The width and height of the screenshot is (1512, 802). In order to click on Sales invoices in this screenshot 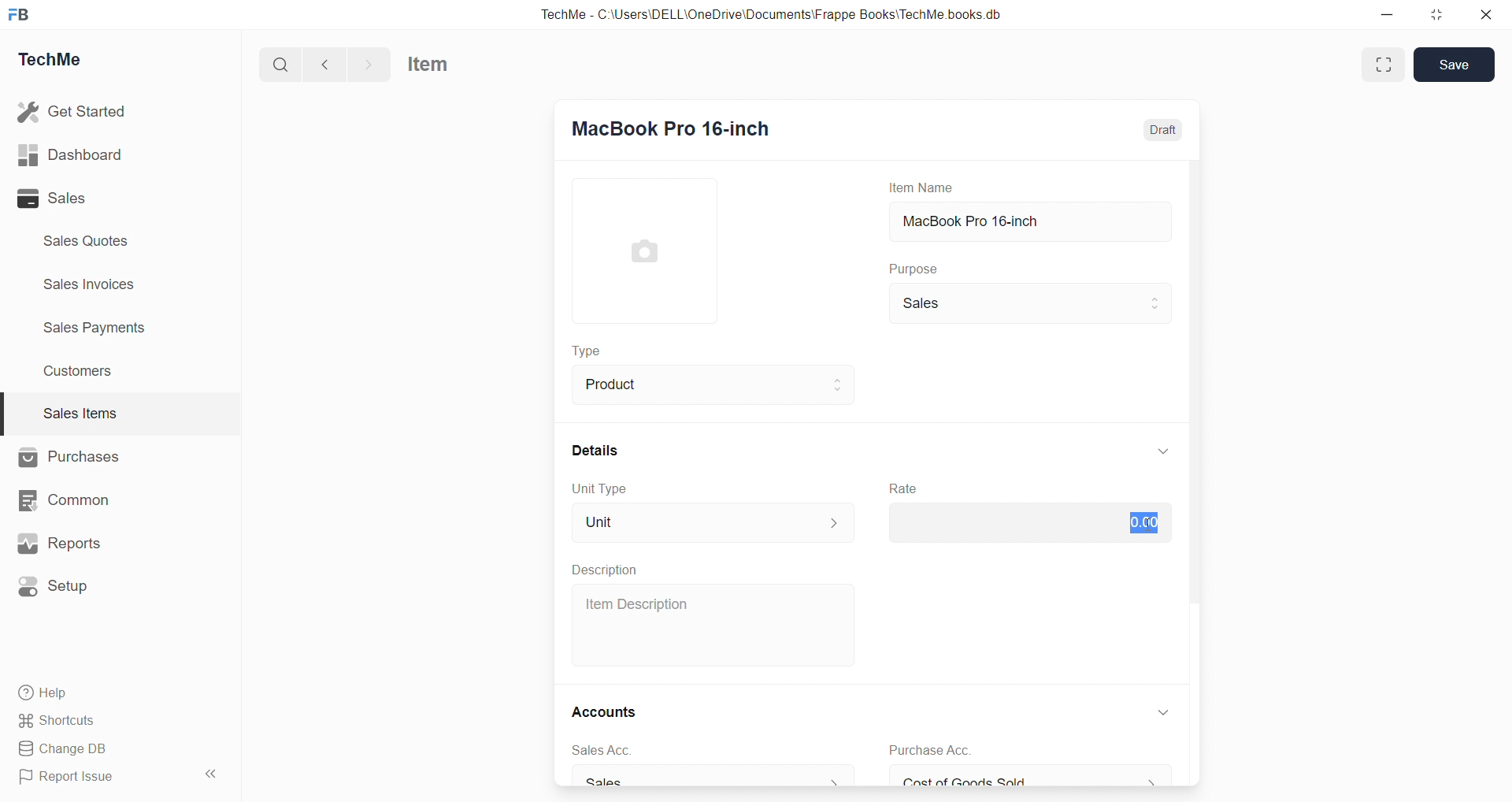, I will do `click(92, 284)`.